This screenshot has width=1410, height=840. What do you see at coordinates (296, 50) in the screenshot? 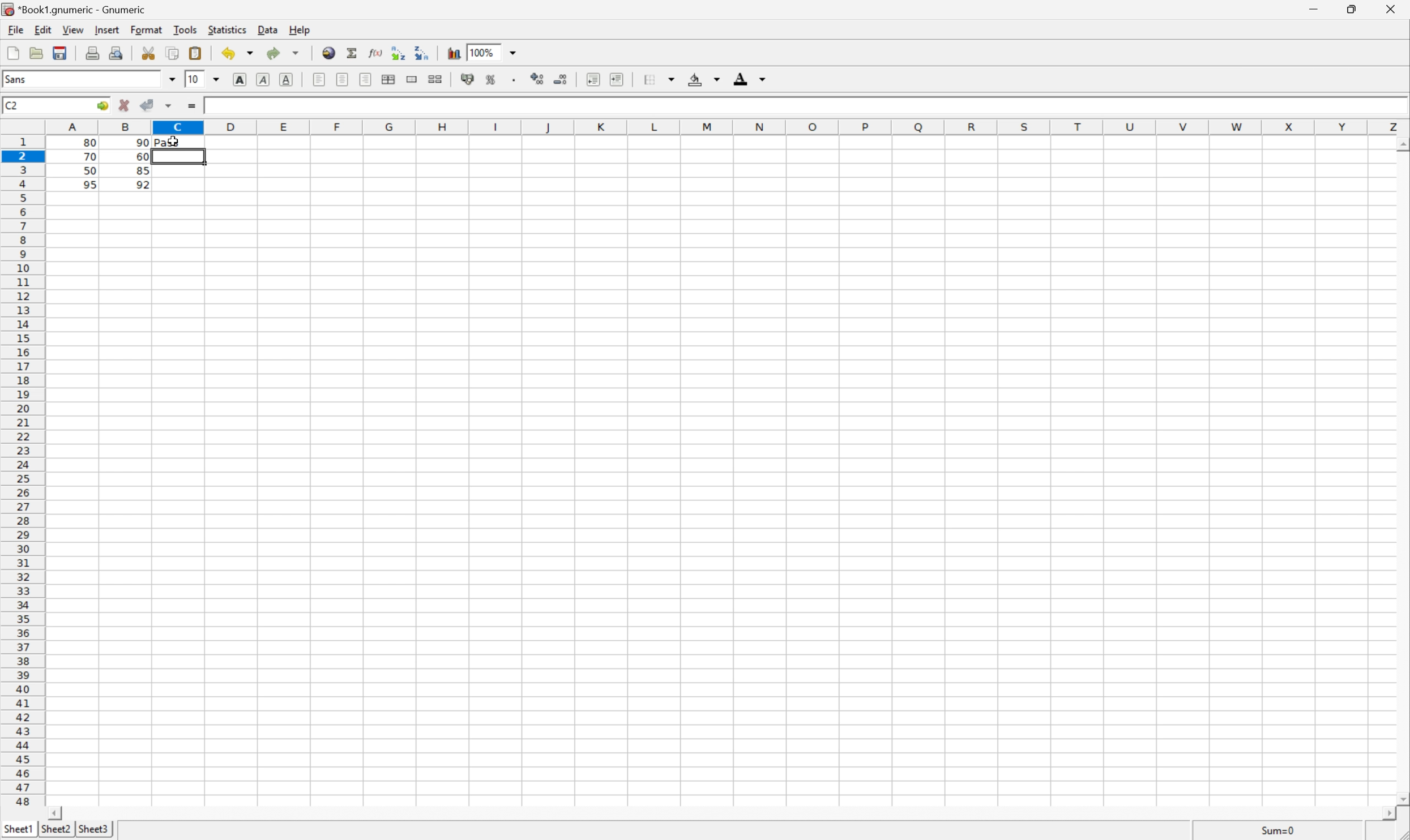
I see `Drop Down` at bounding box center [296, 50].